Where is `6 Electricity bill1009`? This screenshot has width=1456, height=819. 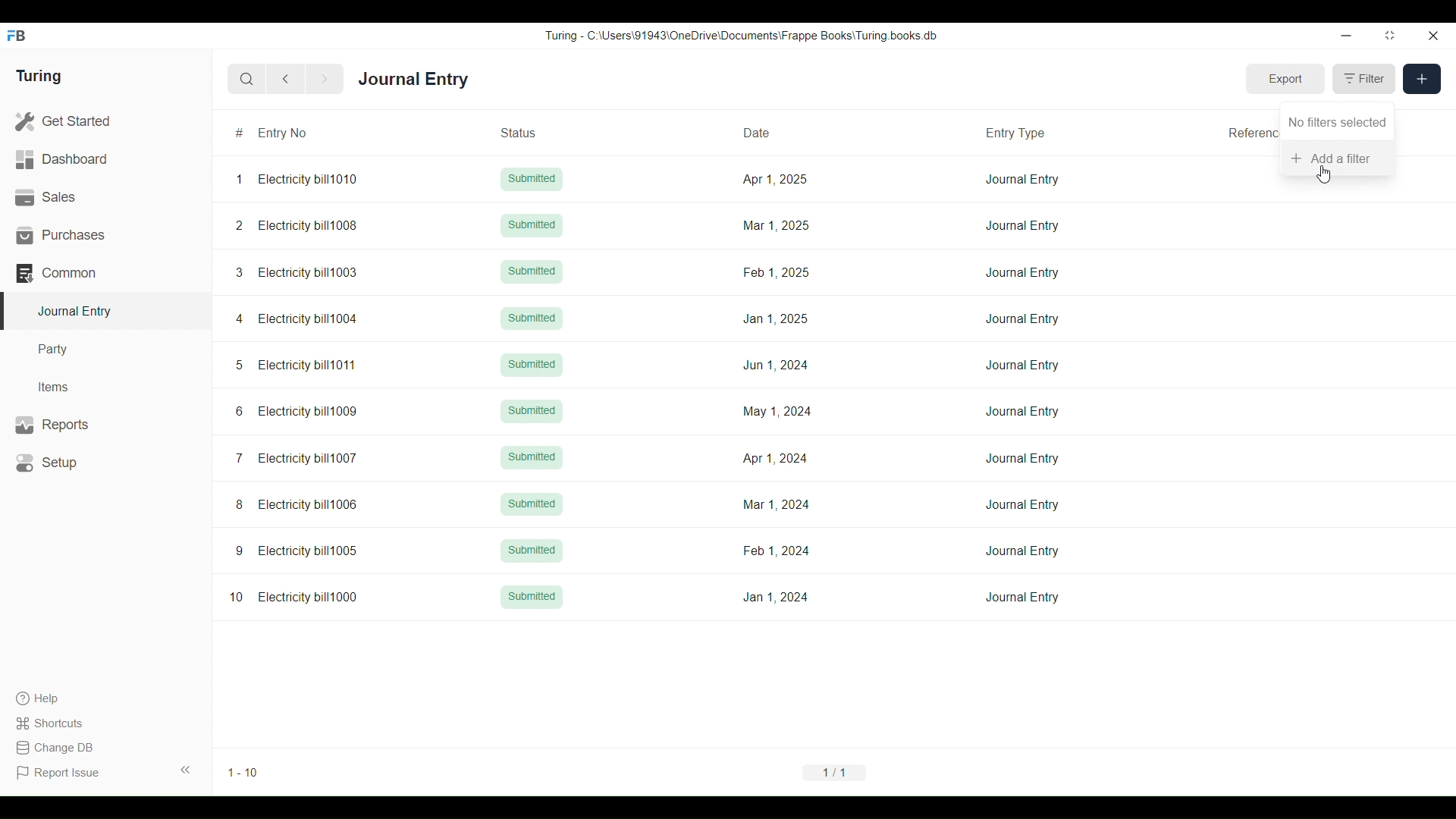 6 Electricity bill1009 is located at coordinates (297, 411).